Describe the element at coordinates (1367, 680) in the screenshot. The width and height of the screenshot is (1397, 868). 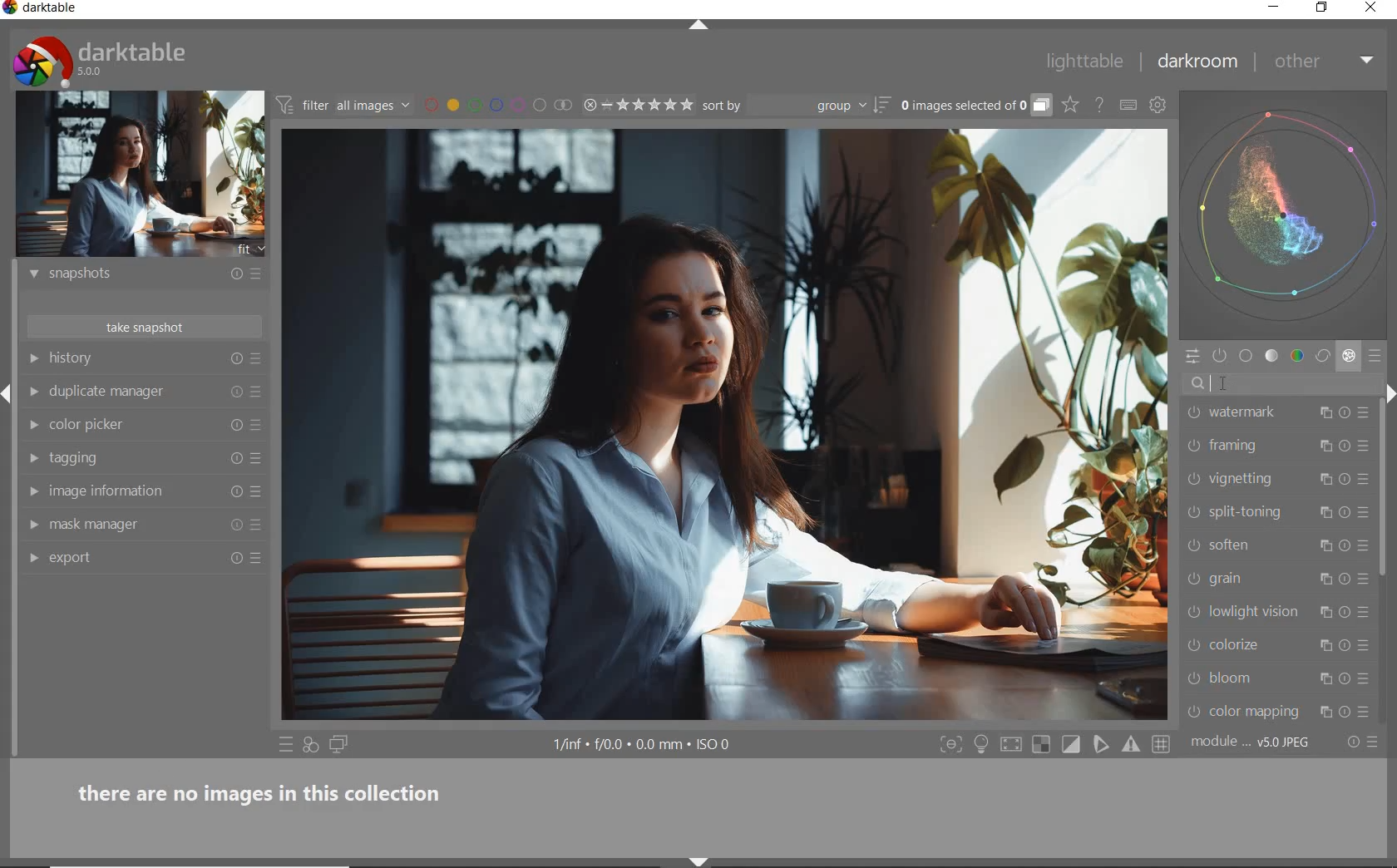
I see `preset and preferences` at that location.